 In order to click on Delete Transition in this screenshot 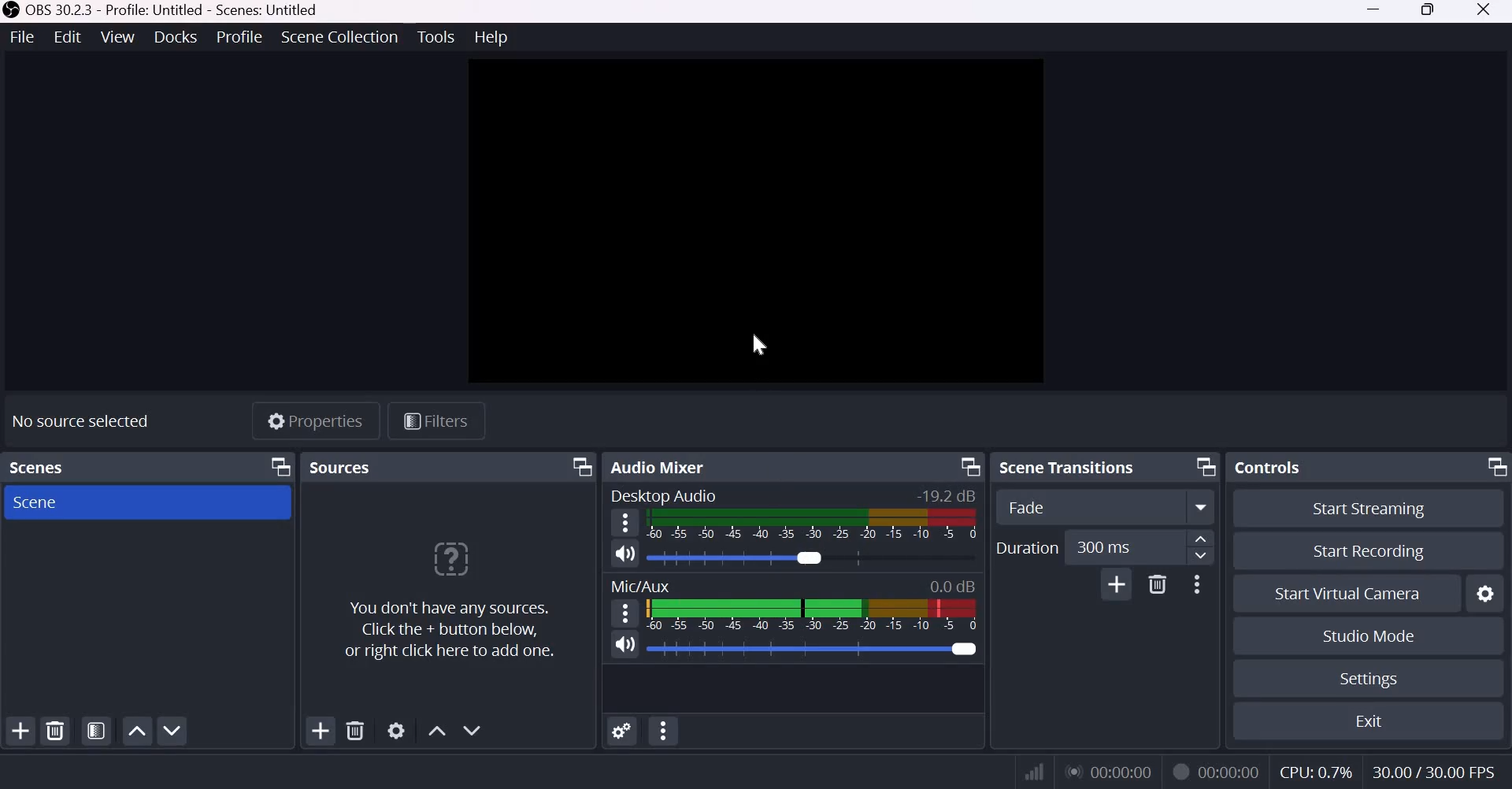, I will do `click(1157, 584)`.